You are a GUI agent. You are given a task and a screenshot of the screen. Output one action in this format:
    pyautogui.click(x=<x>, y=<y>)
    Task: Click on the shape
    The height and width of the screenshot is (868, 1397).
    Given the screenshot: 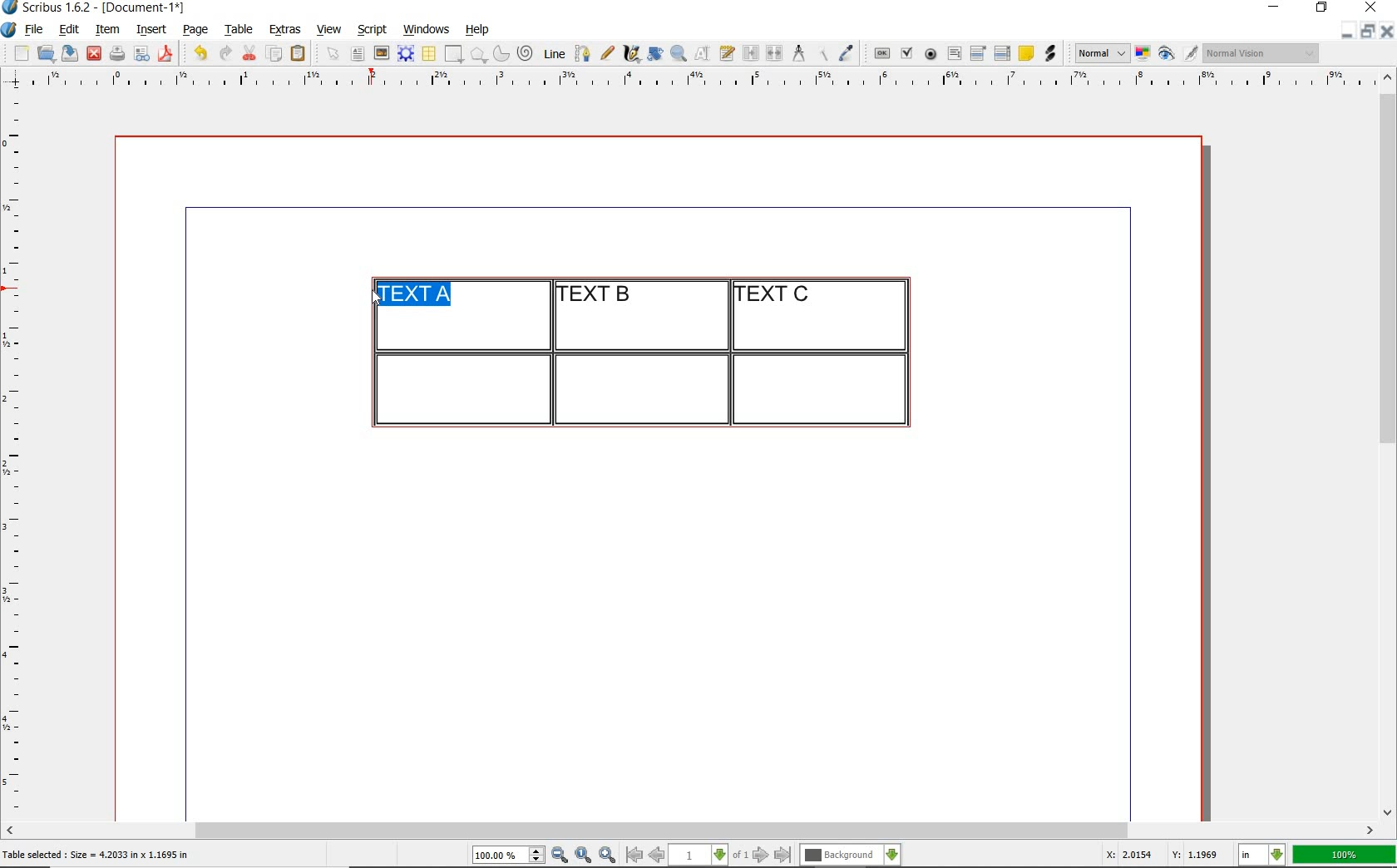 What is the action you would take?
    pyautogui.click(x=456, y=55)
    